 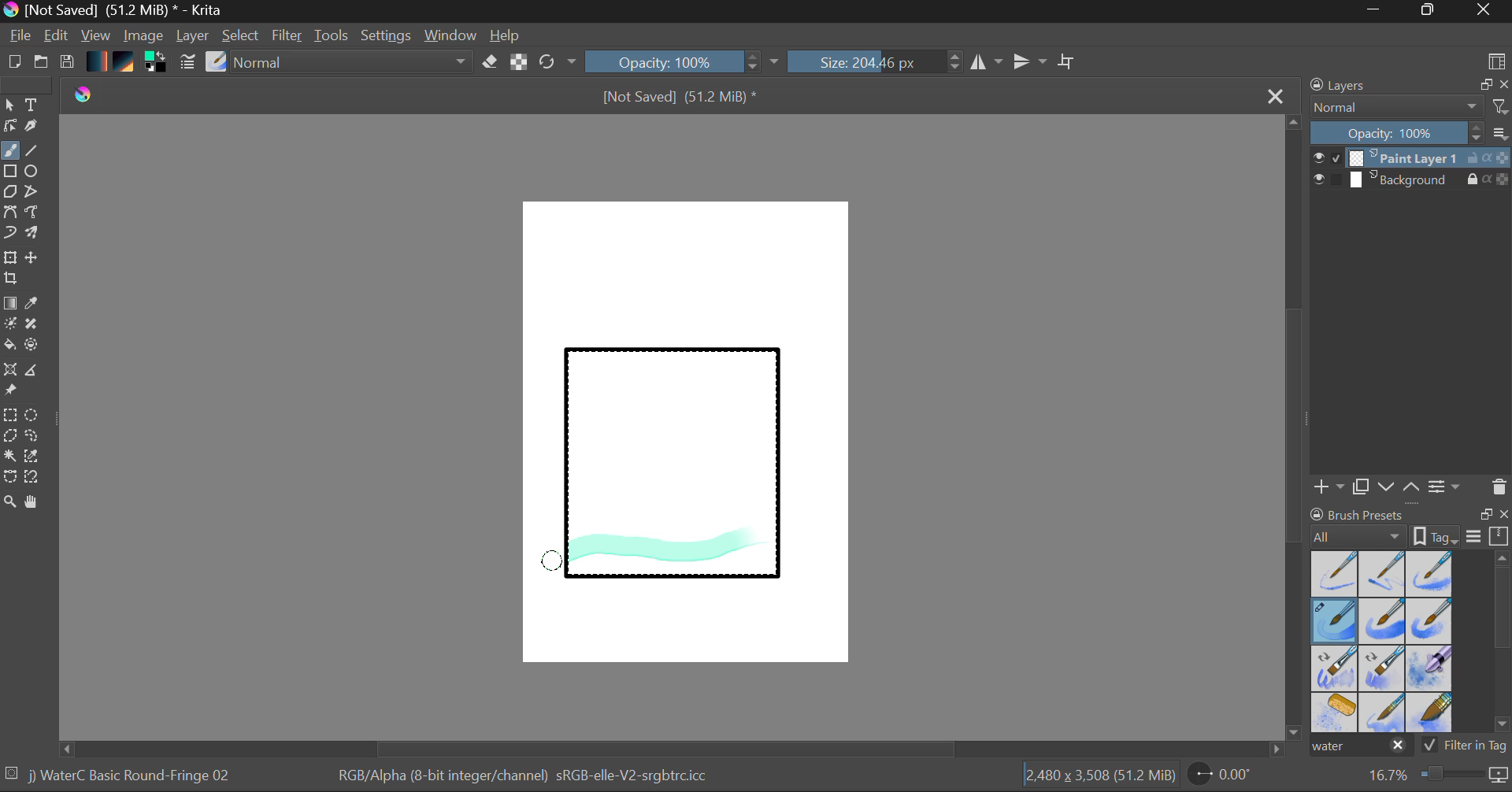 What do you see at coordinates (1336, 572) in the screenshot?
I see `Water C - Dry` at bounding box center [1336, 572].